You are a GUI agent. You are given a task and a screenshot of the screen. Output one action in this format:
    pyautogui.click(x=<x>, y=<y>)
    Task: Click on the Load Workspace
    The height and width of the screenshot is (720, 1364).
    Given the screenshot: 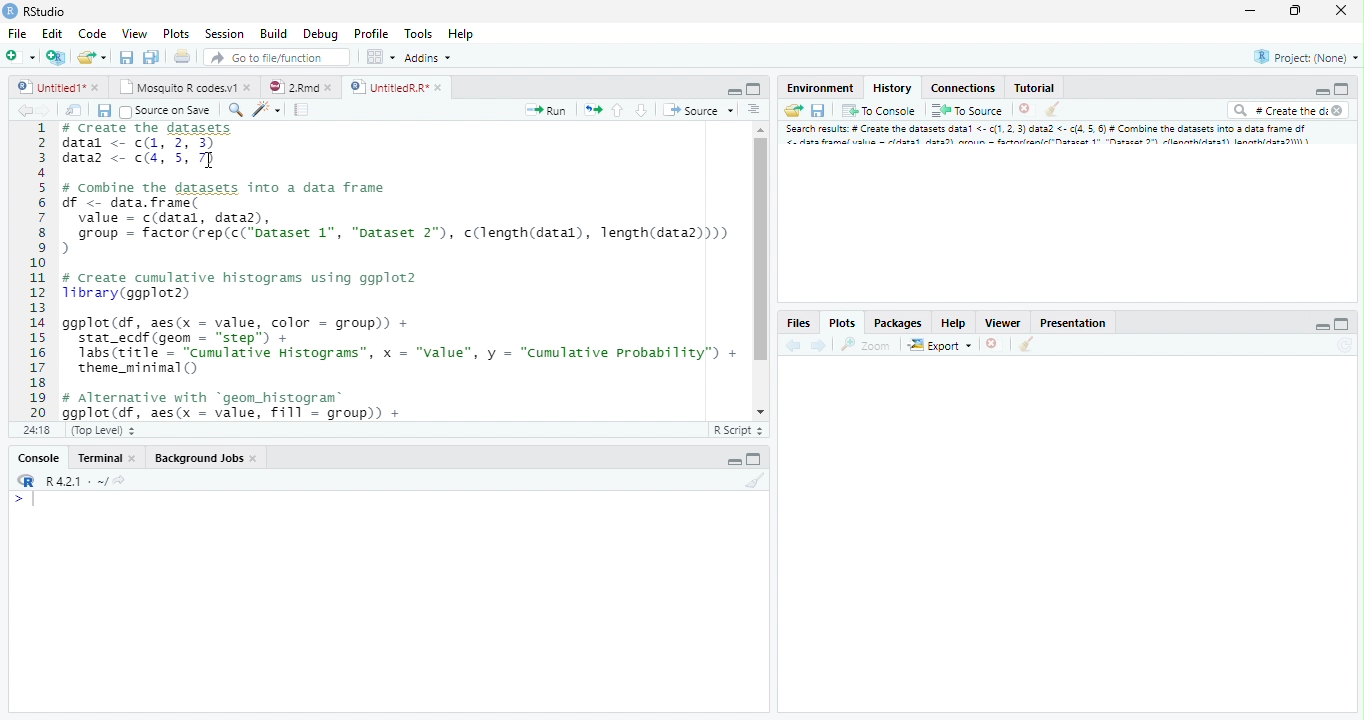 What is the action you would take?
    pyautogui.click(x=795, y=113)
    